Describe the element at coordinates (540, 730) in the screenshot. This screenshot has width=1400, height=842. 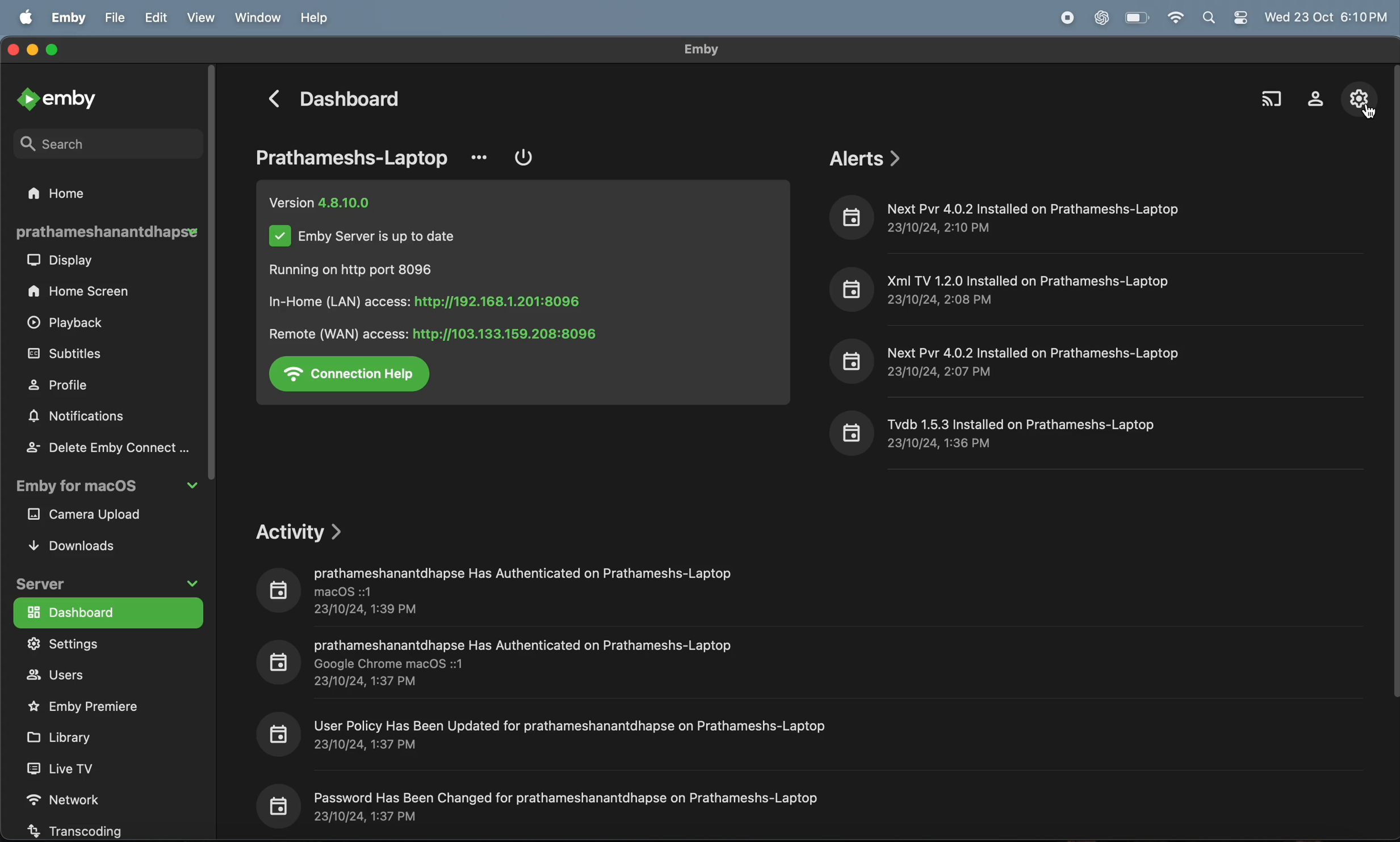
I see `io] User Policy Has Been Updated for prathameshanantdhapse on Prathameshs-Laptop
23/10/24, 1:37 PM` at that location.